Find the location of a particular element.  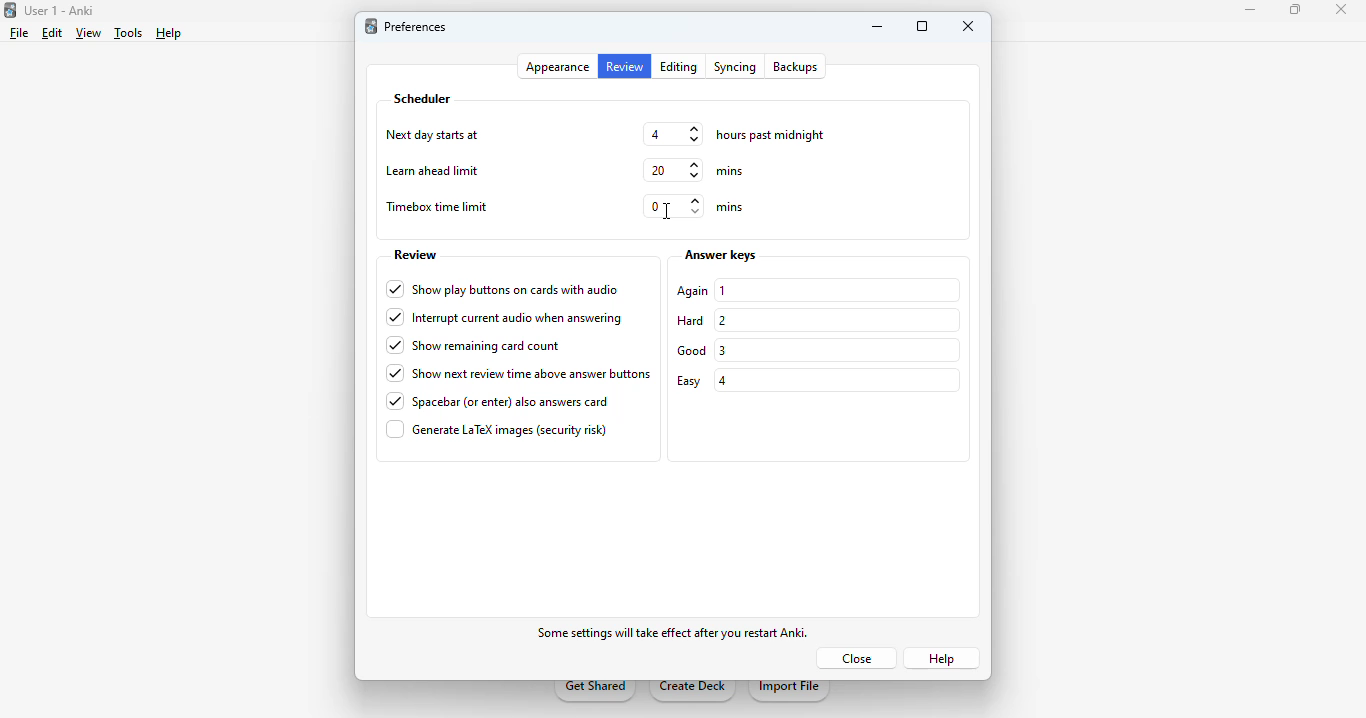

hard is located at coordinates (690, 321).